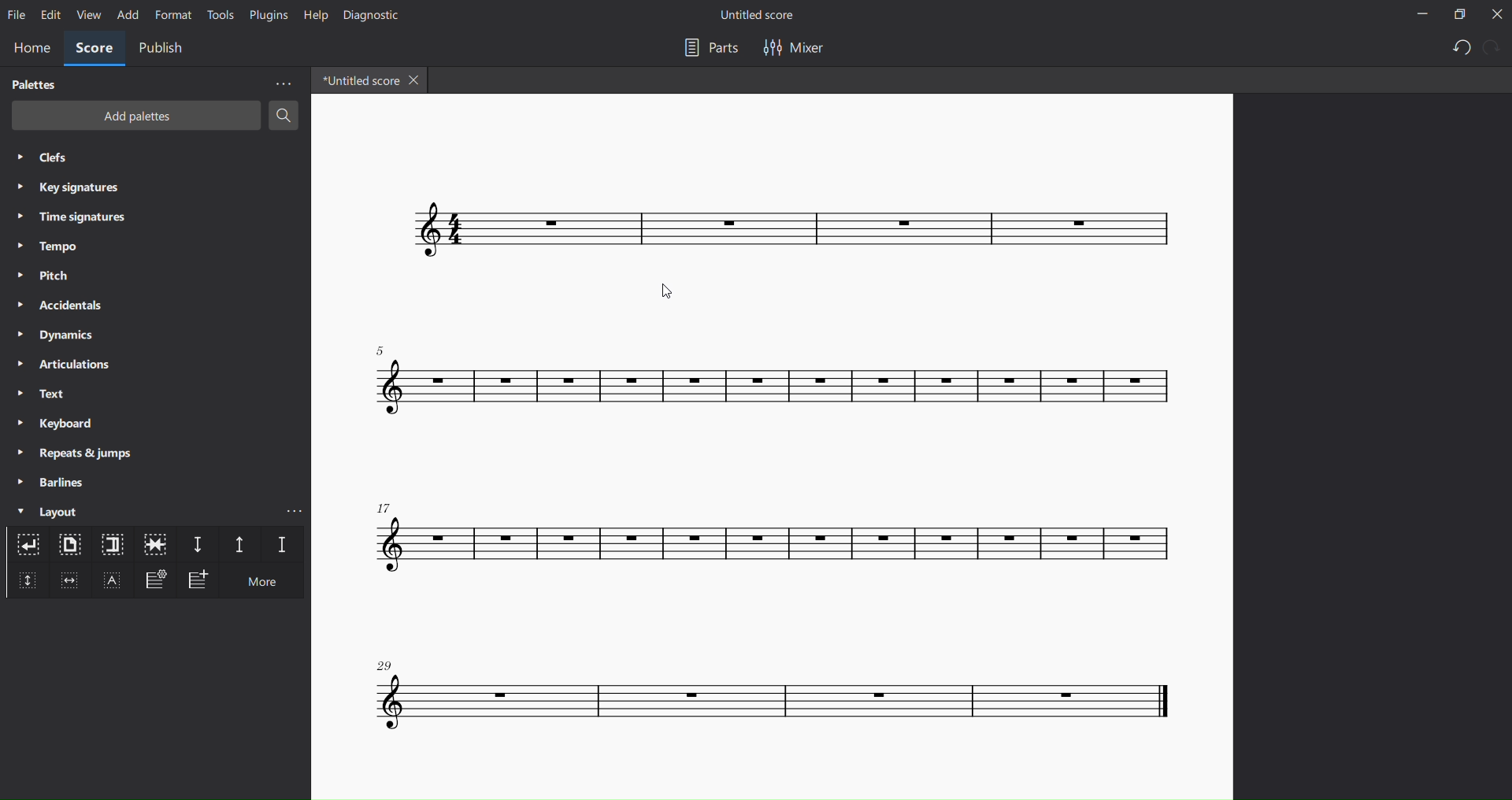  I want to click on title, so click(765, 14).